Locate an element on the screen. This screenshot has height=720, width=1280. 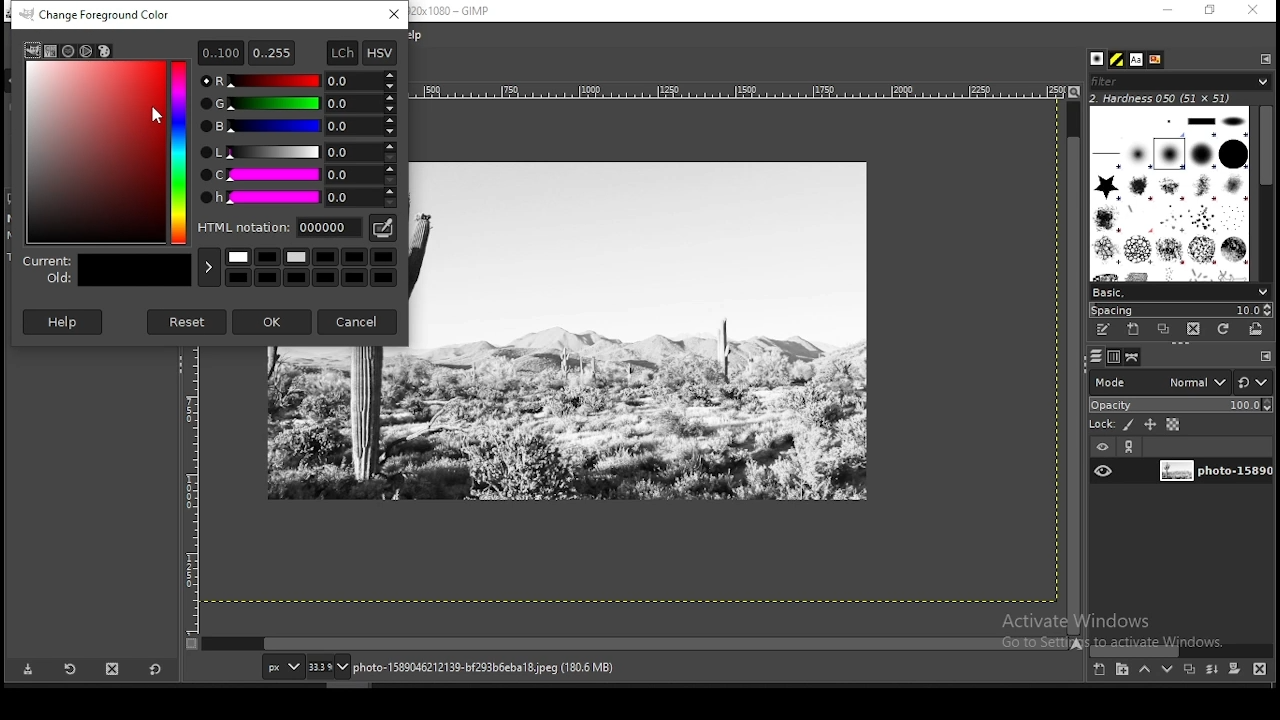
reload tool preset is located at coordinates (72, 668).